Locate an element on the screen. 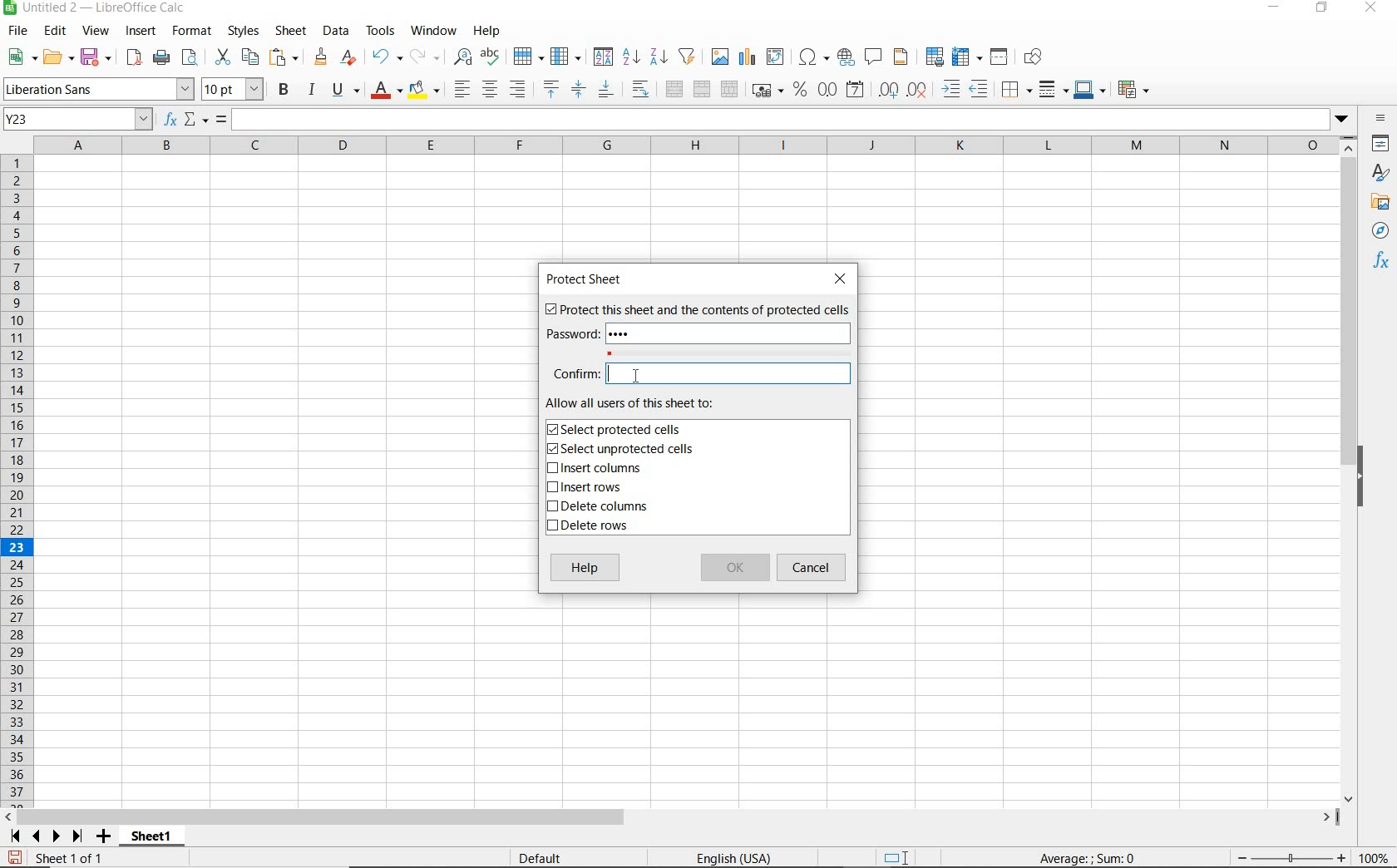 The image size is (1397, 868). DATA is located at coordinates (336, 32).